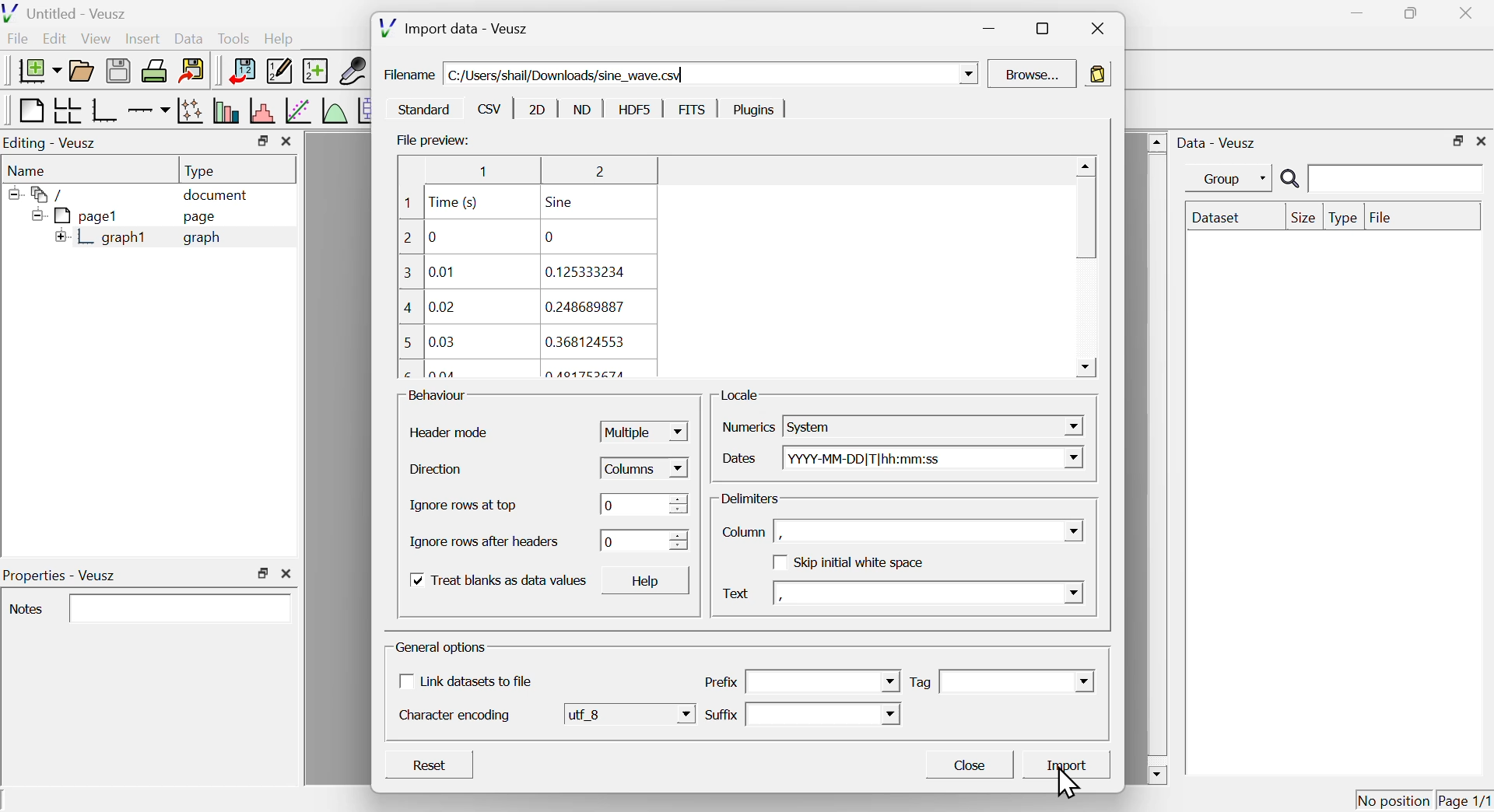  Describe the element at coordinates (290, 572) in the screenshot. I see `close` at that location.